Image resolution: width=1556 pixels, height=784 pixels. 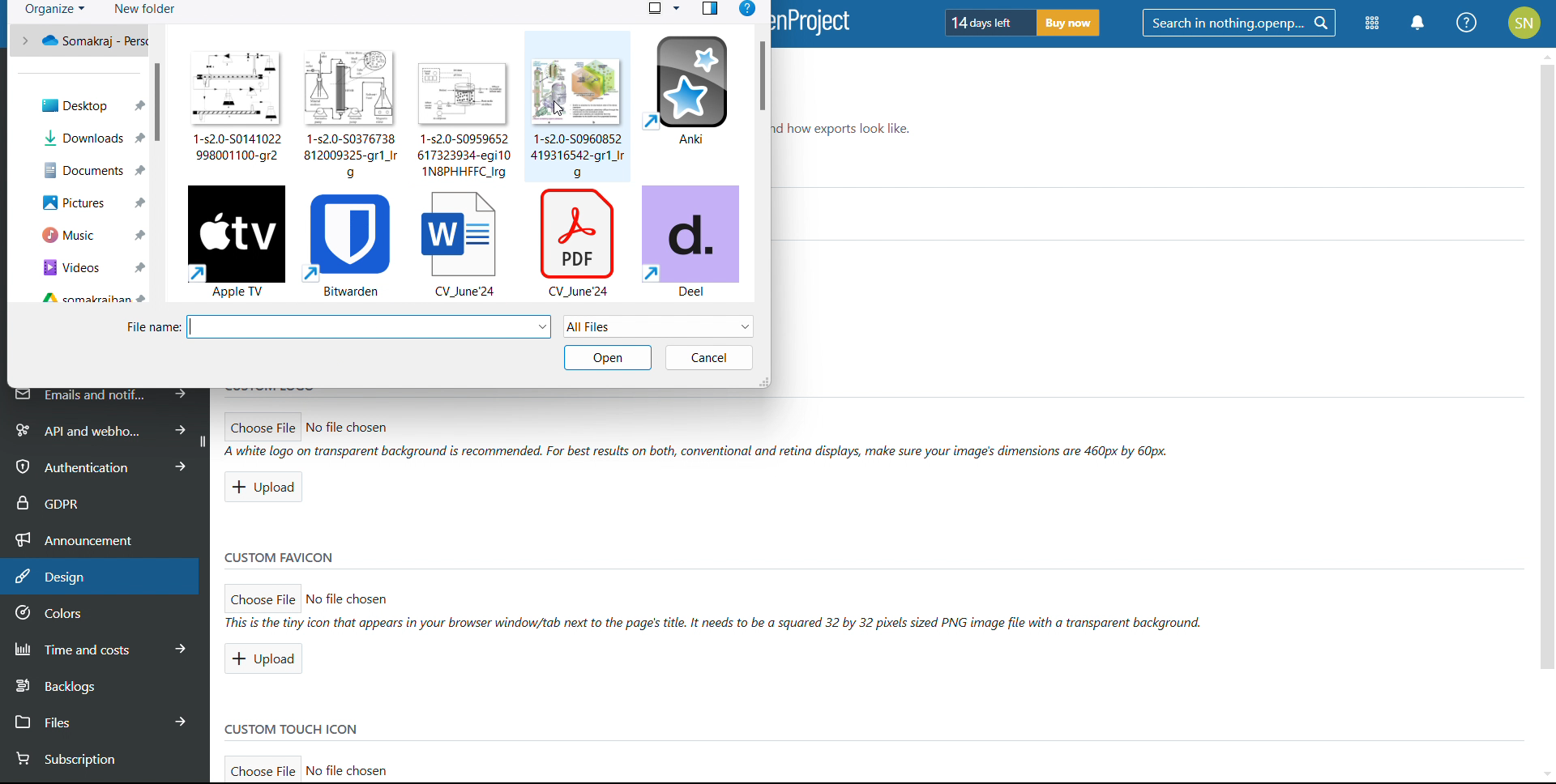 What do you see at coordinates (365, 595) in the screenshot?
I see `> No file chosen` at bounding box center [365, 595].